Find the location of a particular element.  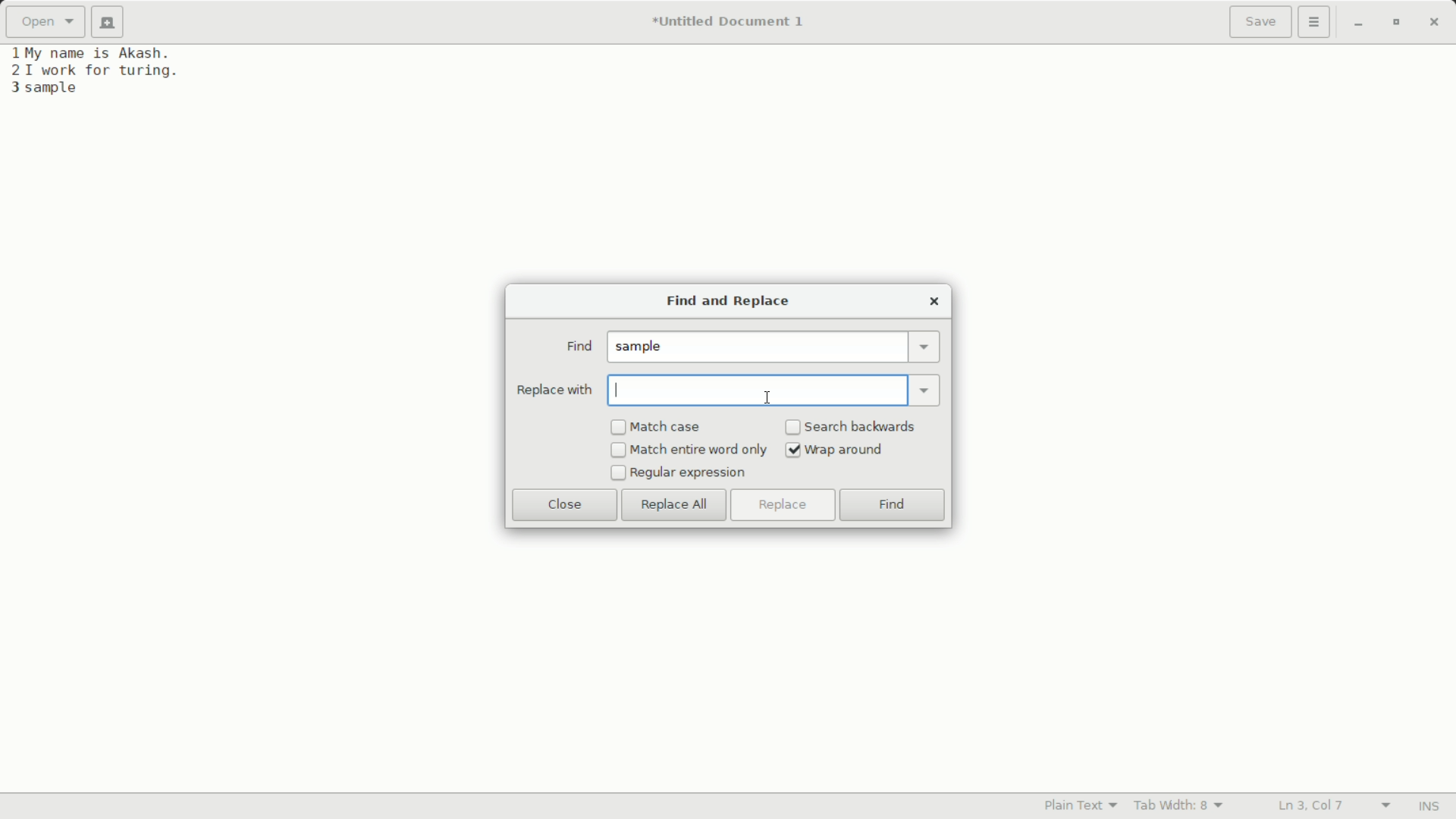

replace with input bar is located at coordinates (770, 391).